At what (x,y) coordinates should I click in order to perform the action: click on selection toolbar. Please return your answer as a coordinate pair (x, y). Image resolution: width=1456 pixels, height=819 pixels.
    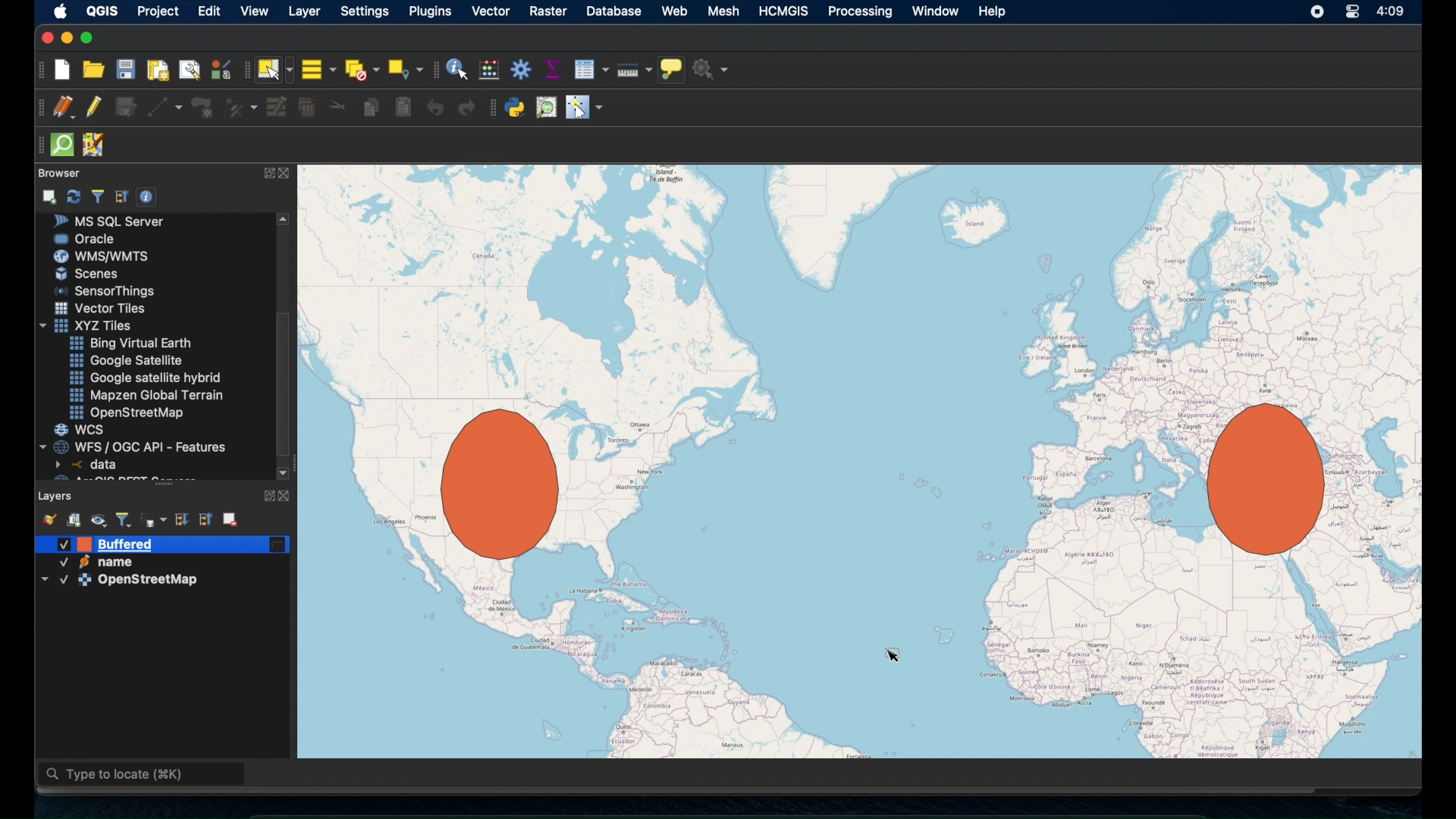
    Looking at the image, I should click on (243, 72).